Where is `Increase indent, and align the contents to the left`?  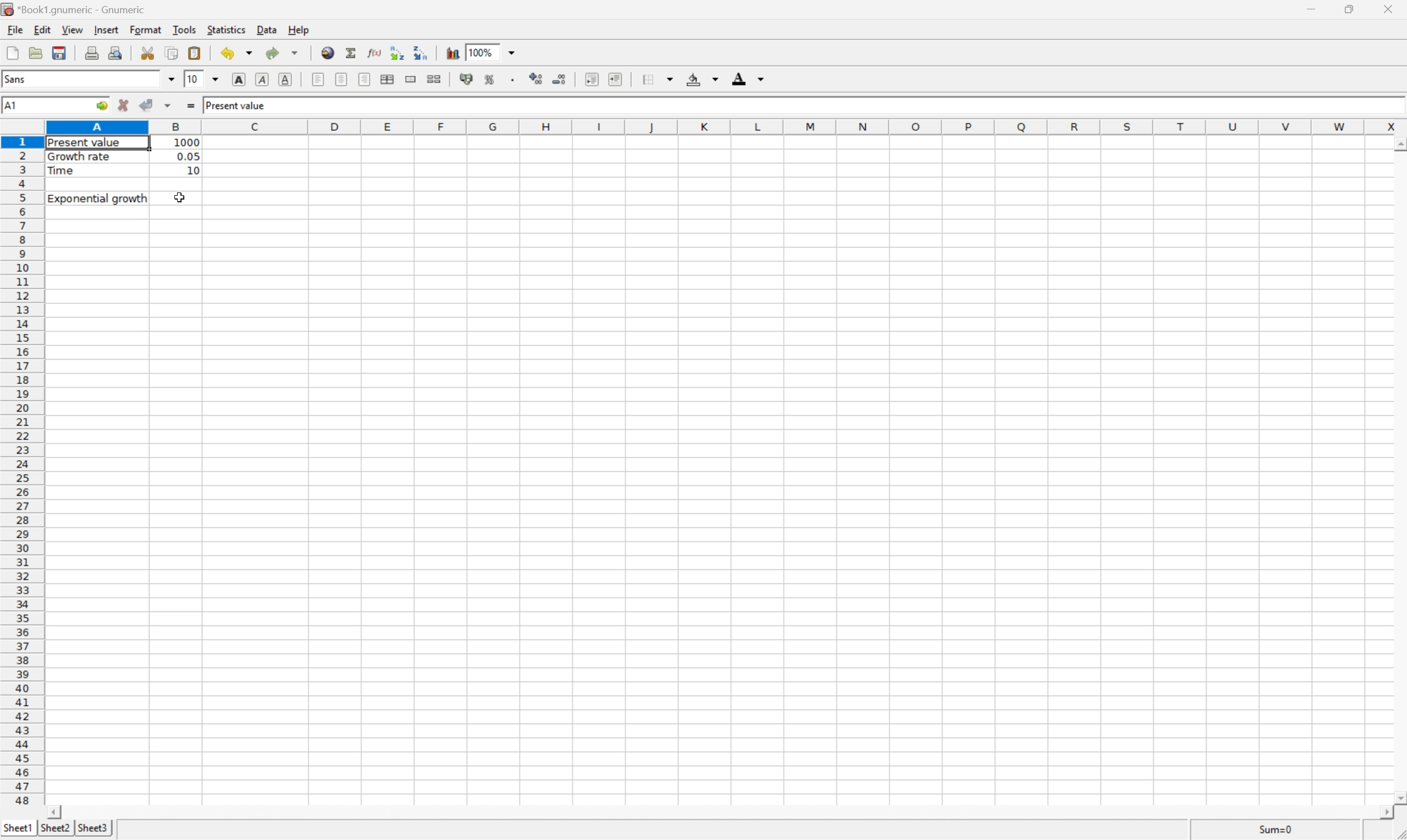
Increase indent, and align the contents to the left is located at coordinates (617, 79).